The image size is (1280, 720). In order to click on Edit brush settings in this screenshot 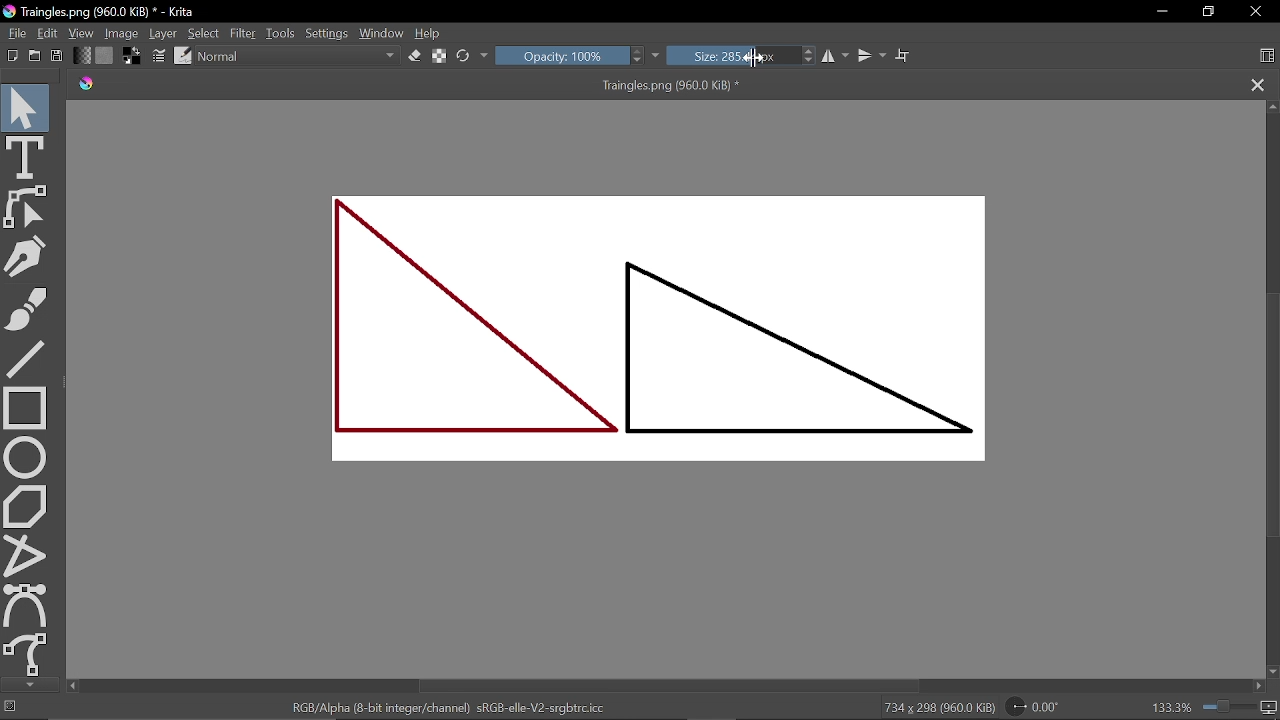, I will do `click(157, 57)`.